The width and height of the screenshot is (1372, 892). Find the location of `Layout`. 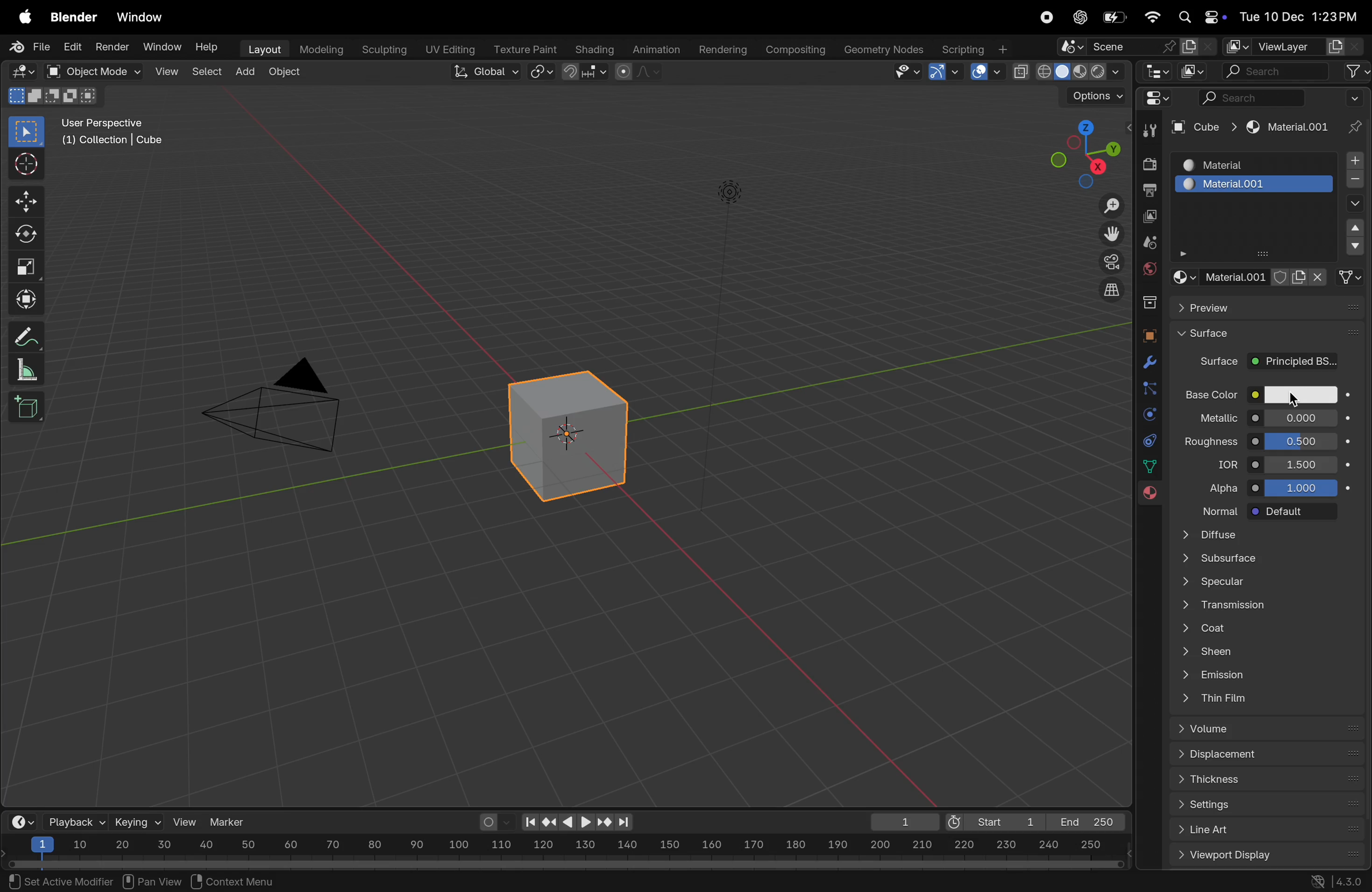

Layout is located at coordinates (262, 48).